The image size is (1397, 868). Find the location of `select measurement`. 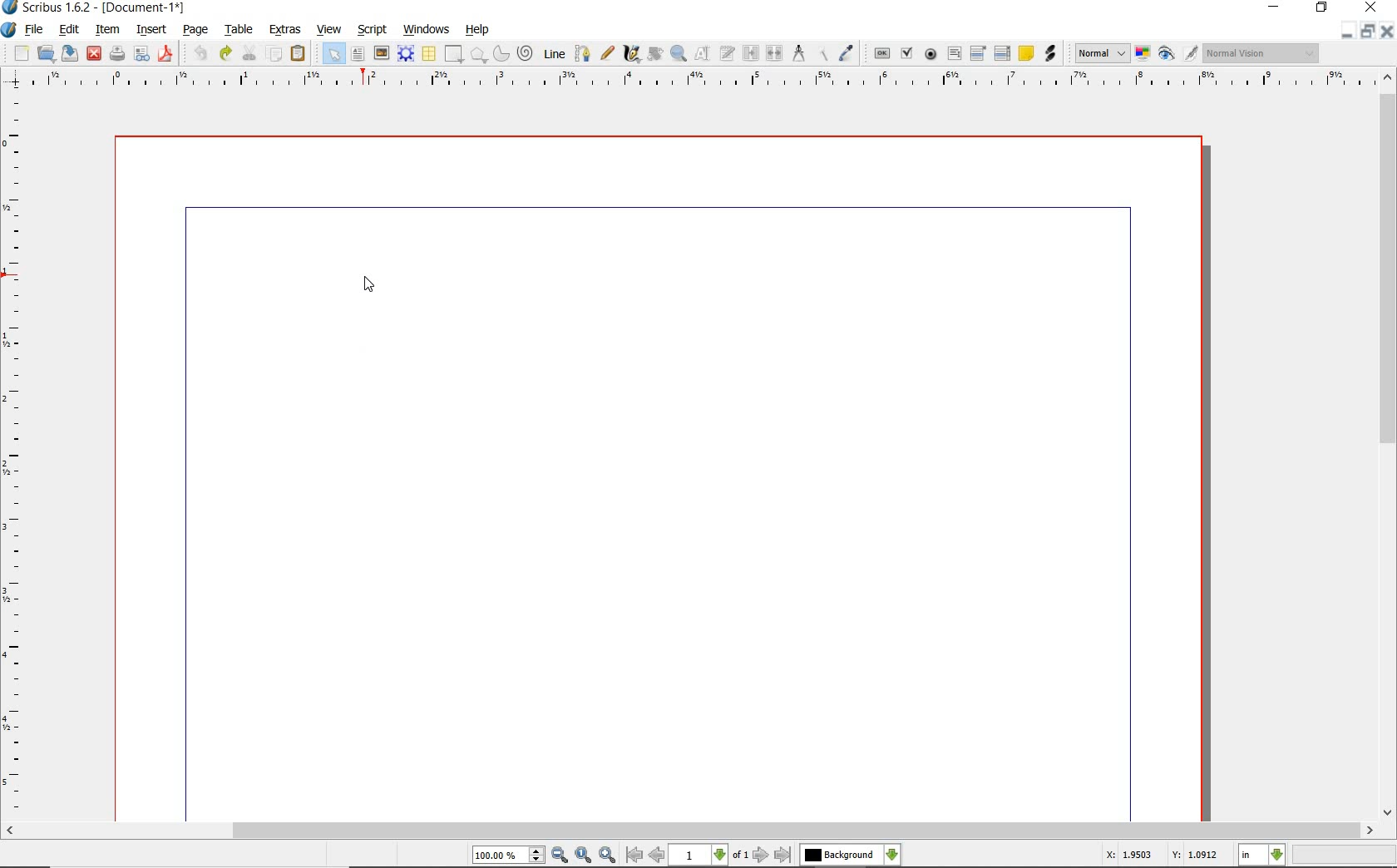

select measurement is located at coordinates (1262, 855).